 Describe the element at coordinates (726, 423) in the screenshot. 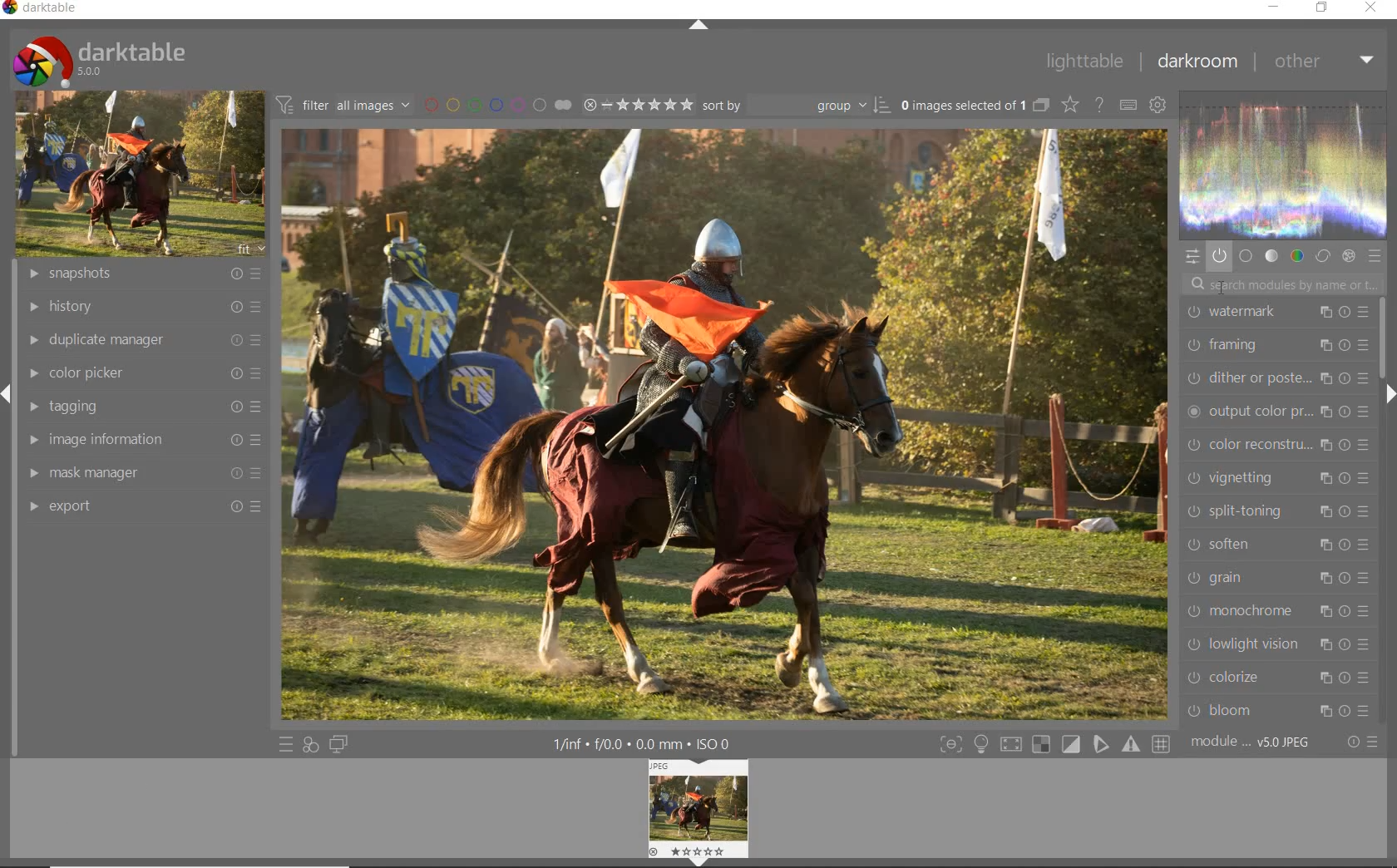

I see `selected image` at that location.